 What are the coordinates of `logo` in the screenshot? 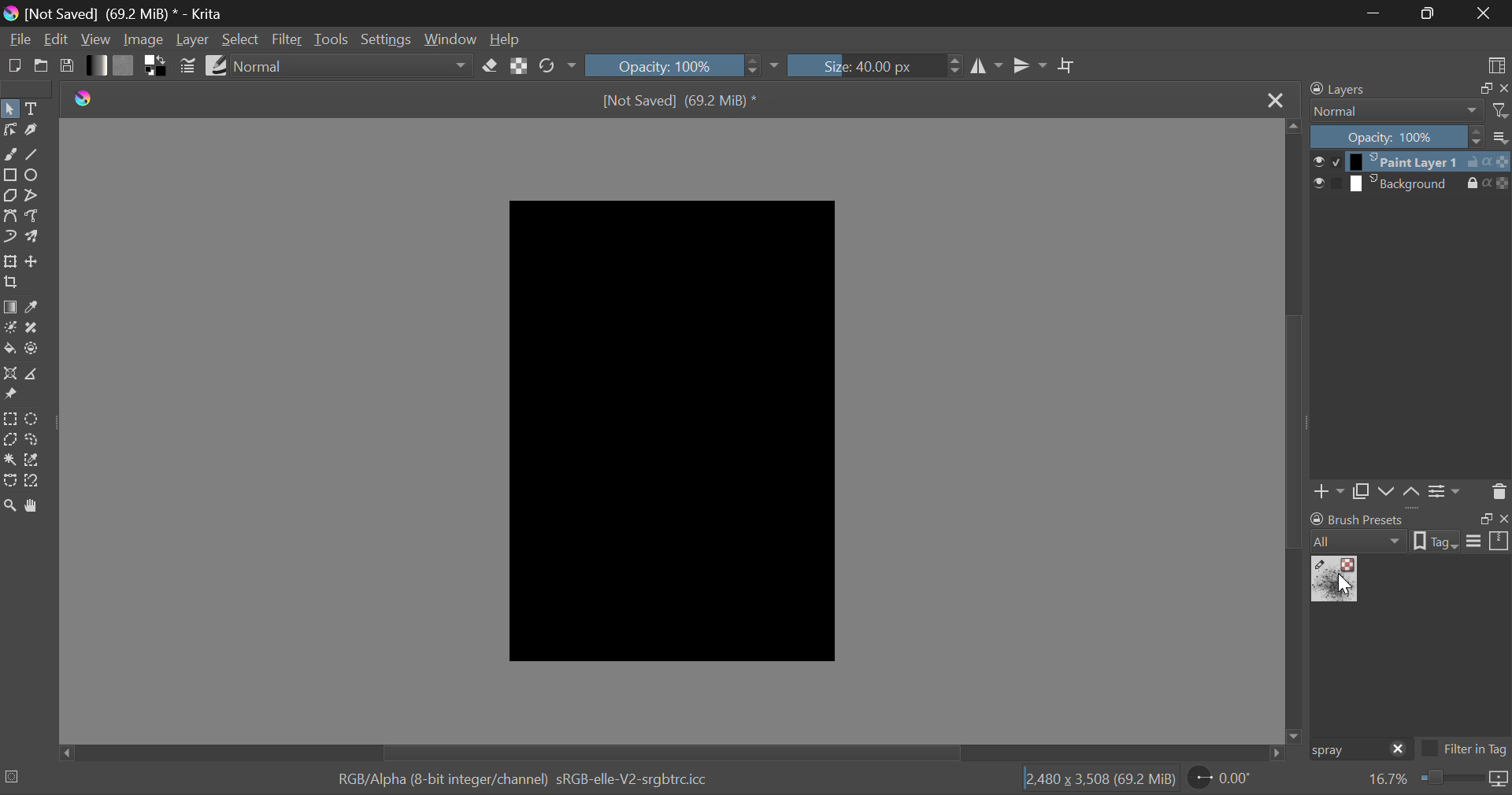 It's located at (84, 99).